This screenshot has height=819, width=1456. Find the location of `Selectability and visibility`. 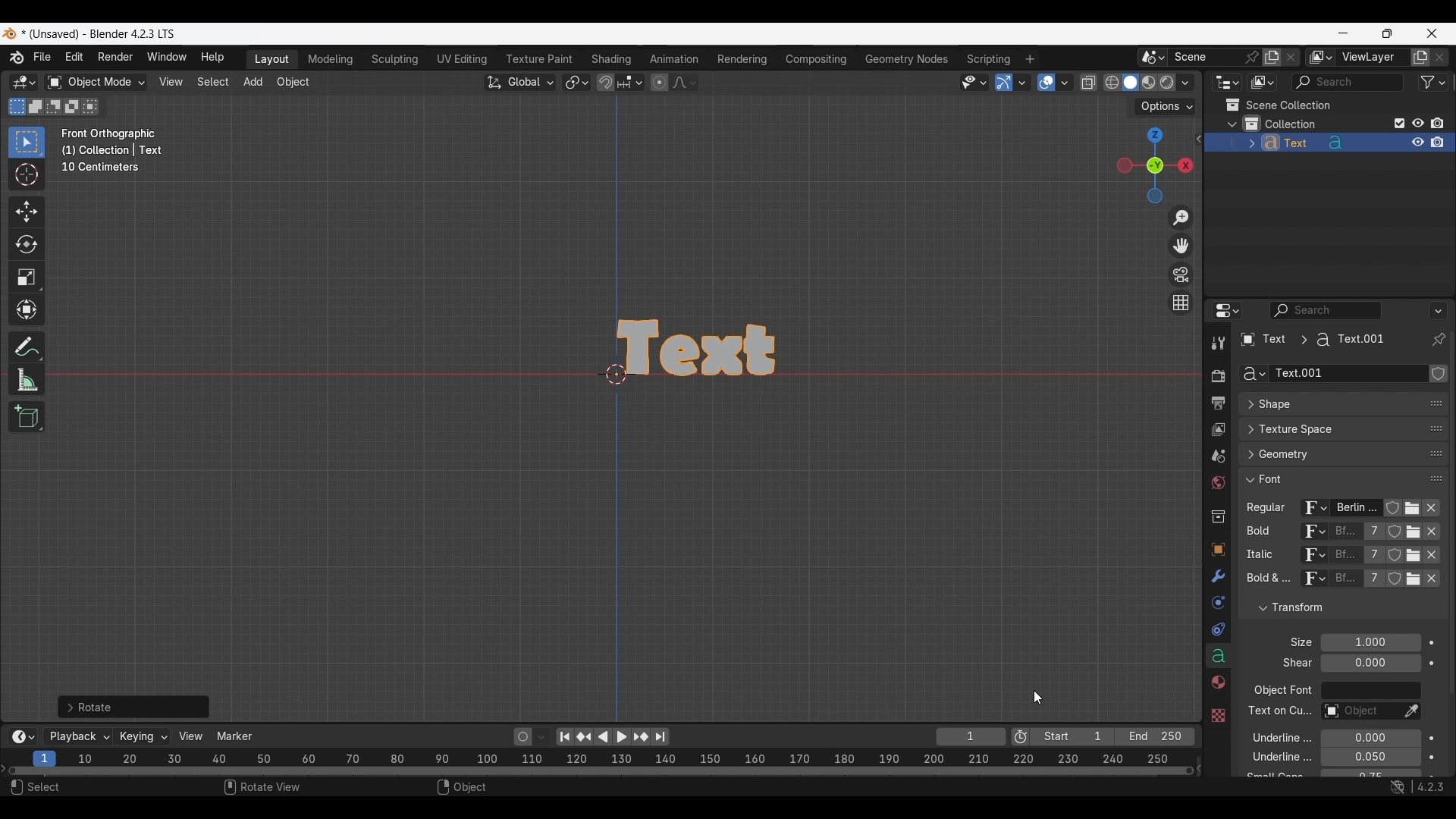

Selectability and visibility is located at coordinates (974, 83).